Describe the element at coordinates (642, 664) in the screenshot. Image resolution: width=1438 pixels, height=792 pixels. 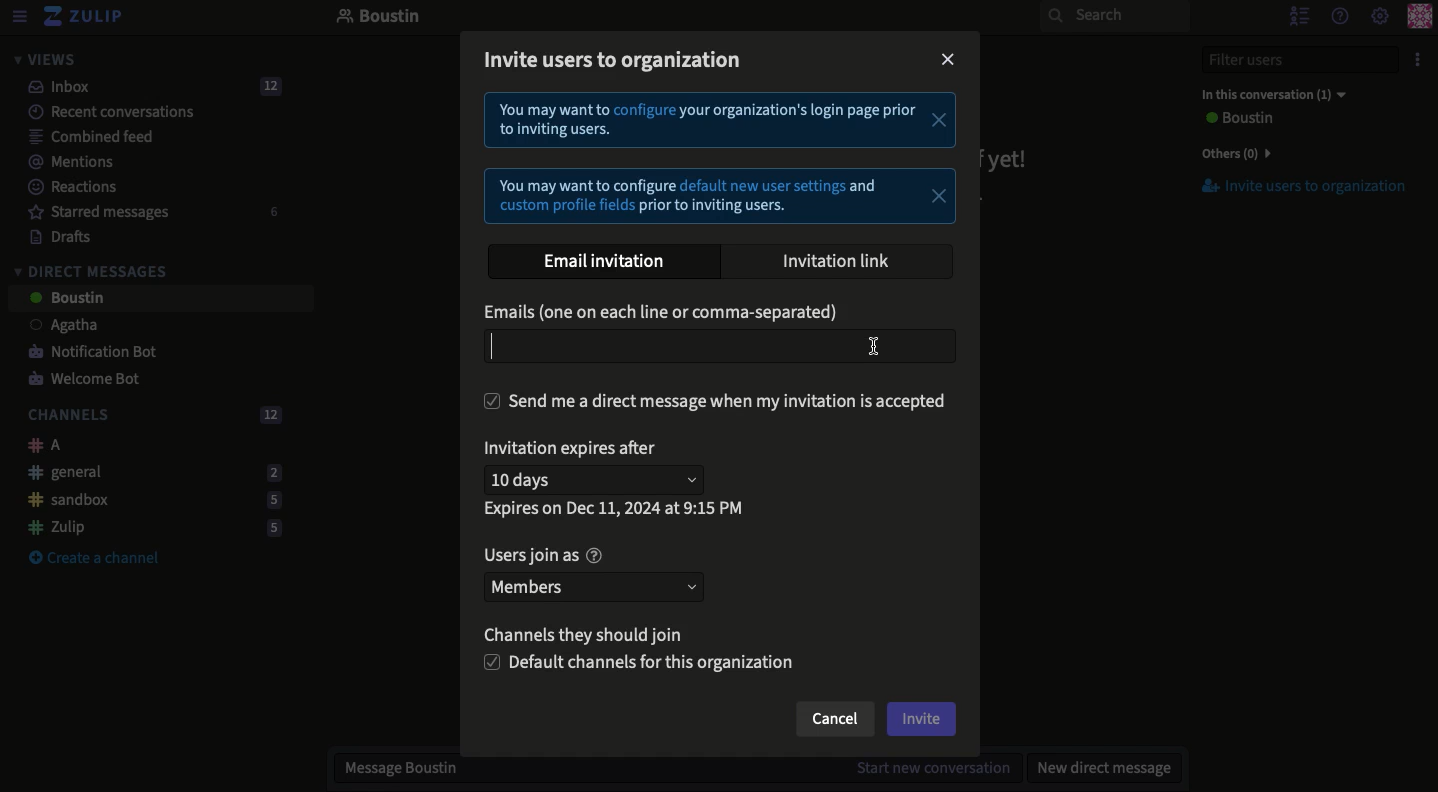
I see `Default` at that location.